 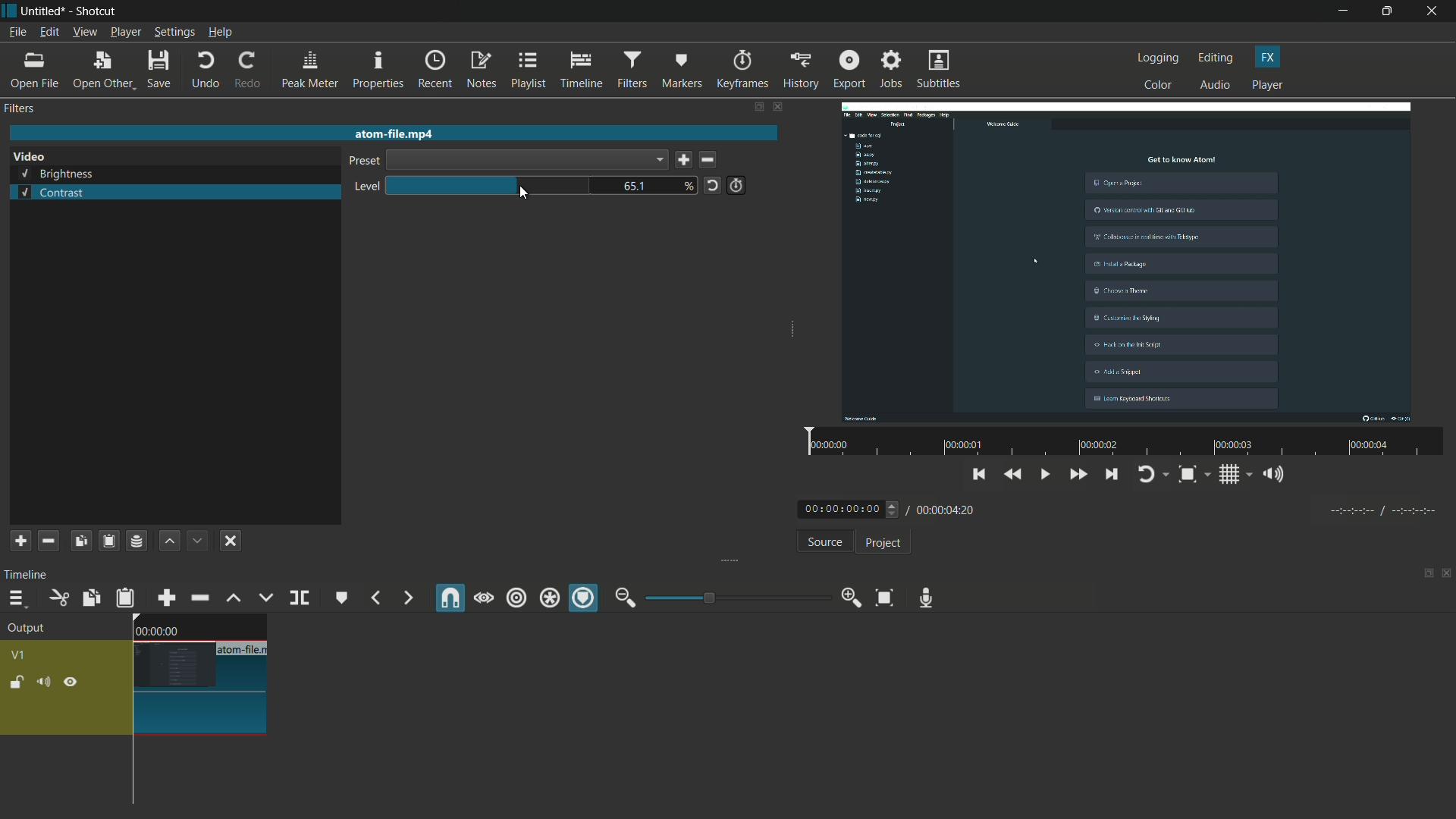 What do you see at coordinates (780, 108) in the screenshot?
I see `close filter pane` at bounding box center [780, 108].